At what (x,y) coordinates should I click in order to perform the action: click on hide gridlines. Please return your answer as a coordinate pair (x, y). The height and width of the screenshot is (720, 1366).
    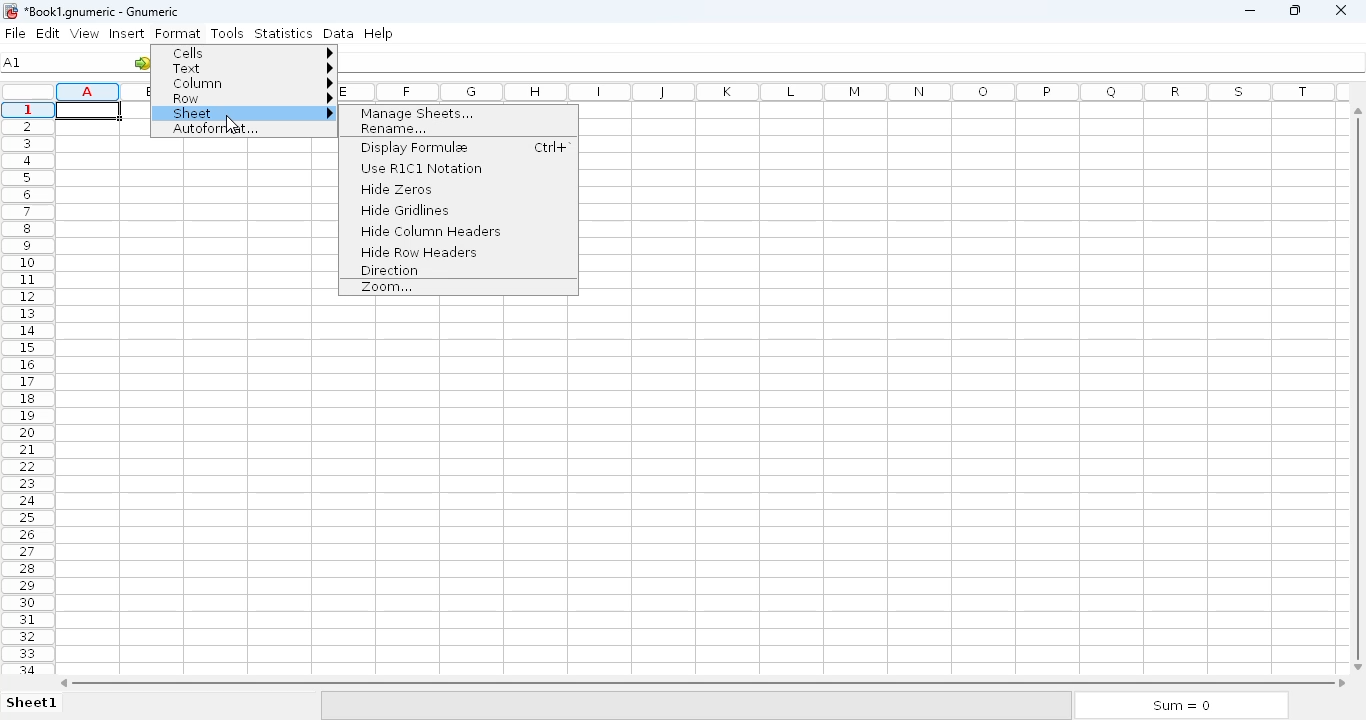
    Looking at the image, I should click on (406, 210).